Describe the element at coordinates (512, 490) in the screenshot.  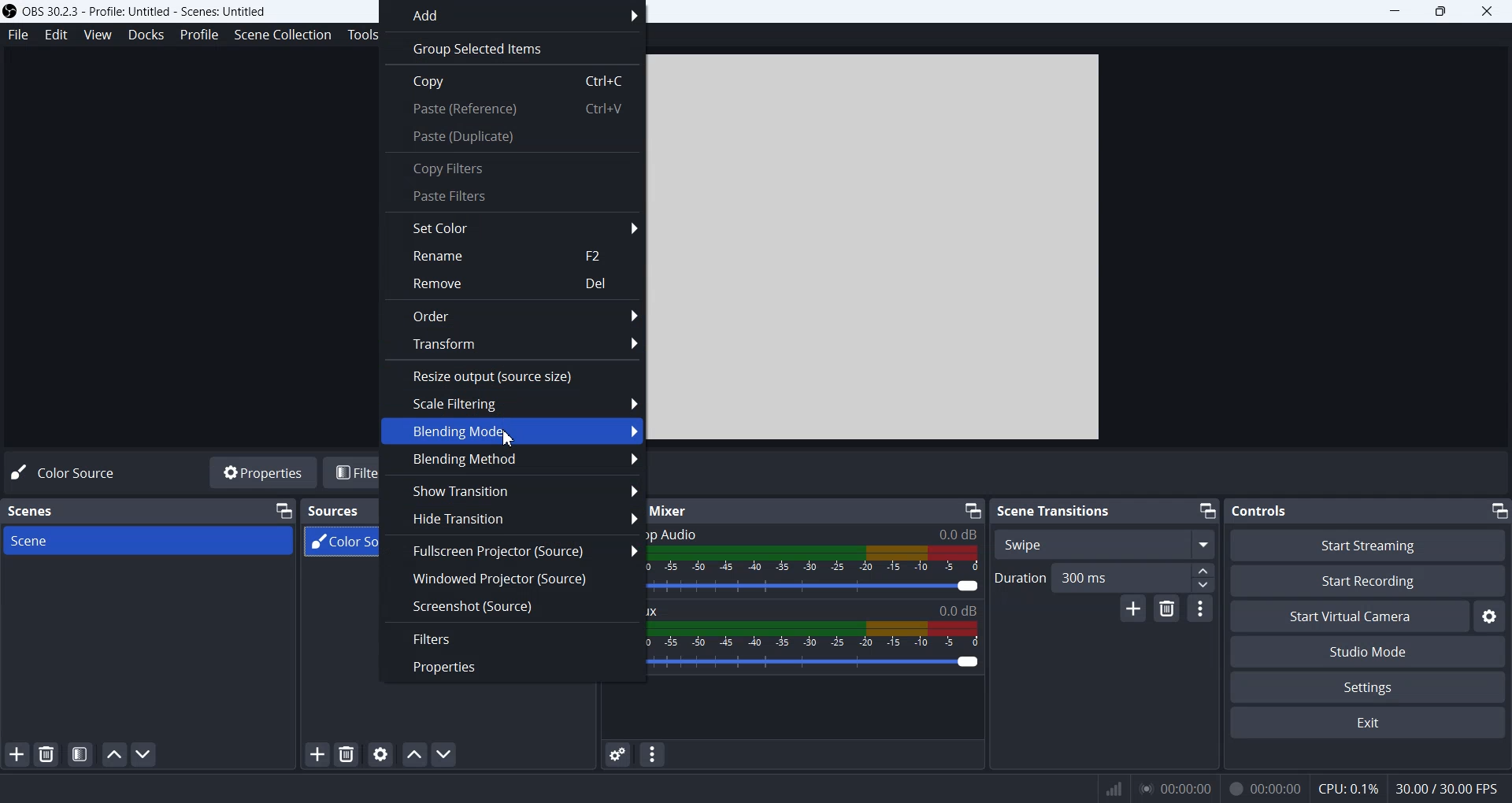
I see `Show Transition` at that location.